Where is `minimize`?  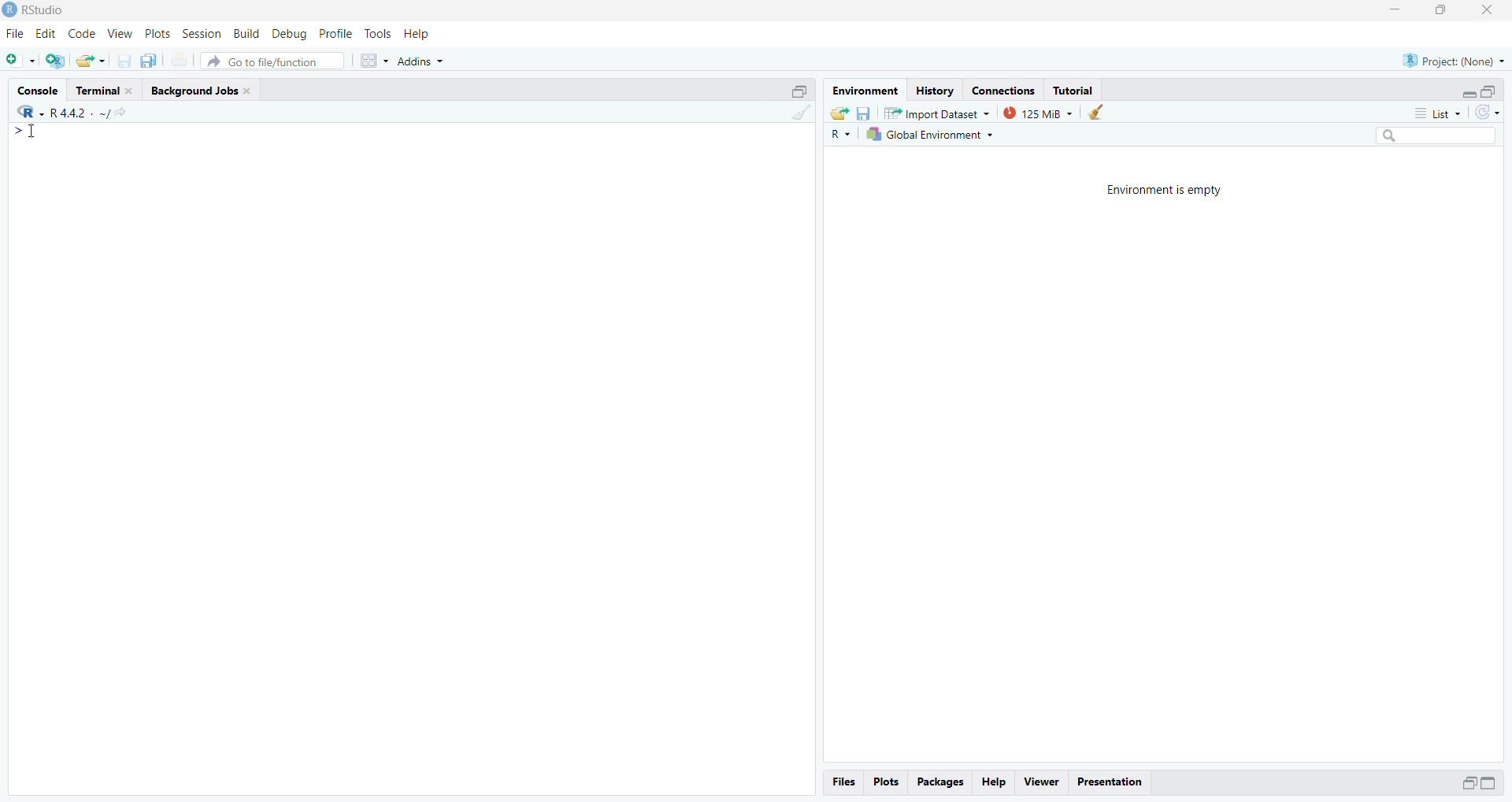 minimize is located at coordinates (799, 90).